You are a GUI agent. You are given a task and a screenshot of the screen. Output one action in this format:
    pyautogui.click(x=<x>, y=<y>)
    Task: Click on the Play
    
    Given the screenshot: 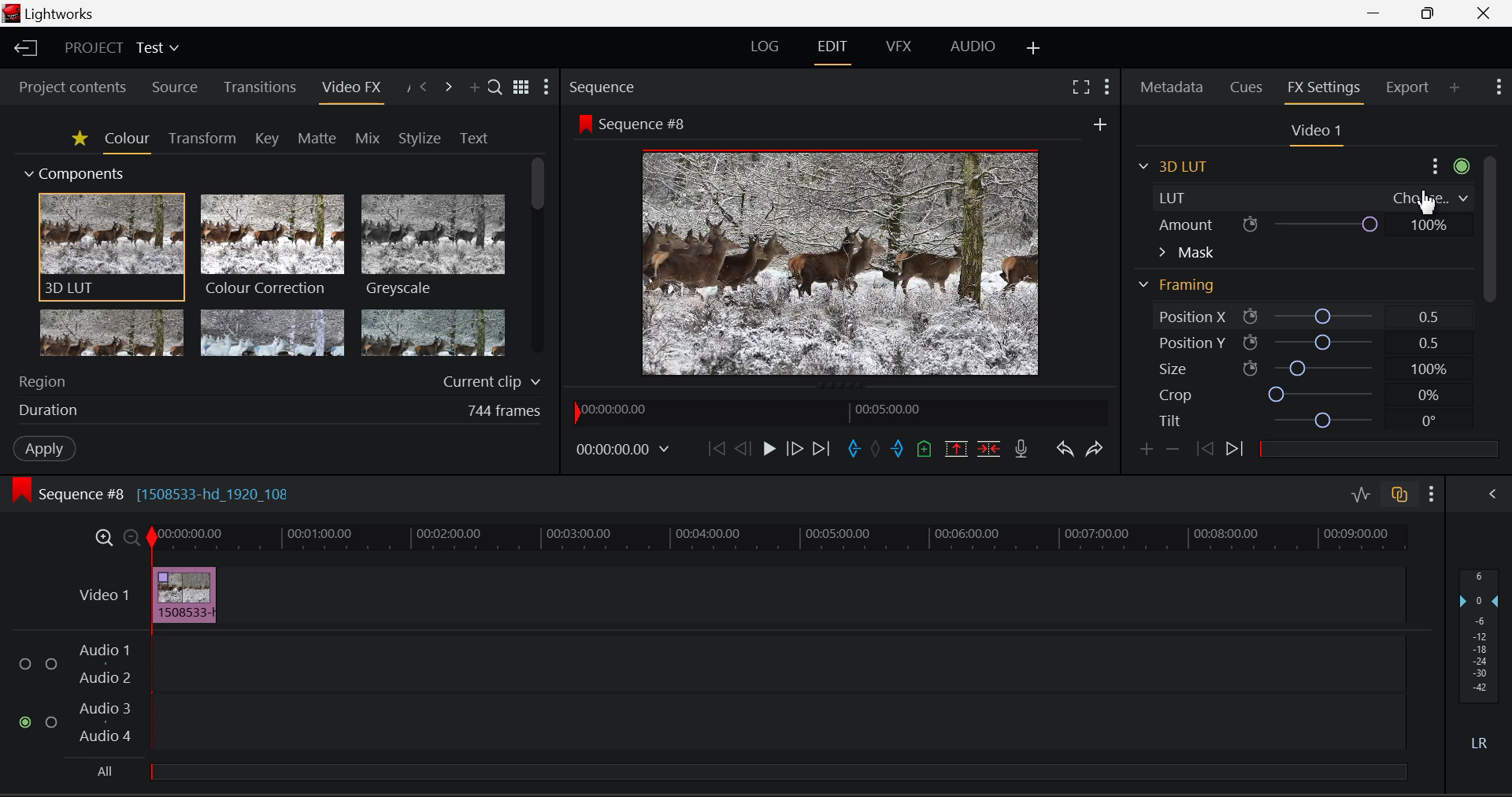 What is the action you would take?
    pyautogui.click(x=767, y=449)
    